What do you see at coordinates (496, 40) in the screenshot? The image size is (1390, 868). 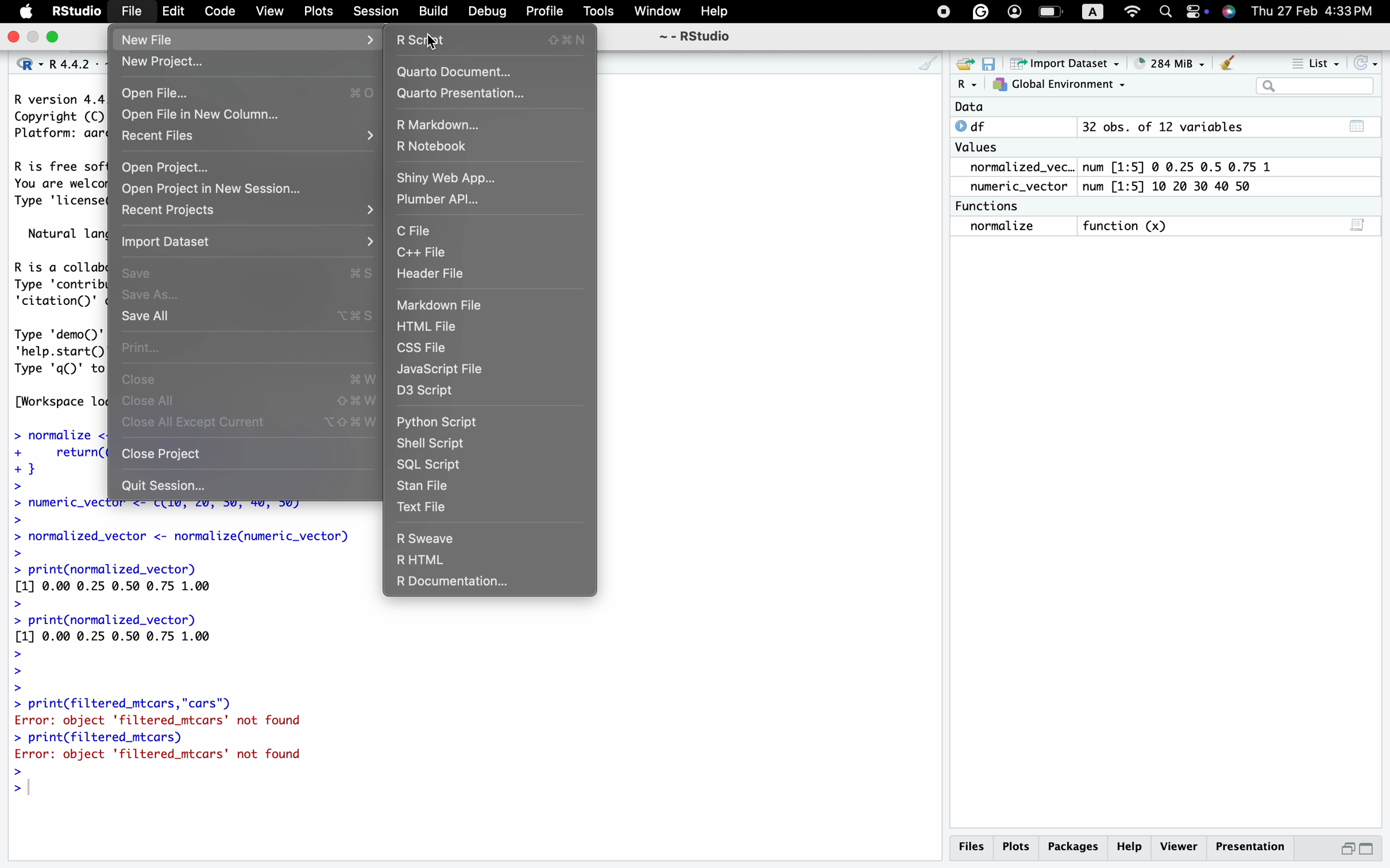 I see `R Script` at bounding box center [496, 40].